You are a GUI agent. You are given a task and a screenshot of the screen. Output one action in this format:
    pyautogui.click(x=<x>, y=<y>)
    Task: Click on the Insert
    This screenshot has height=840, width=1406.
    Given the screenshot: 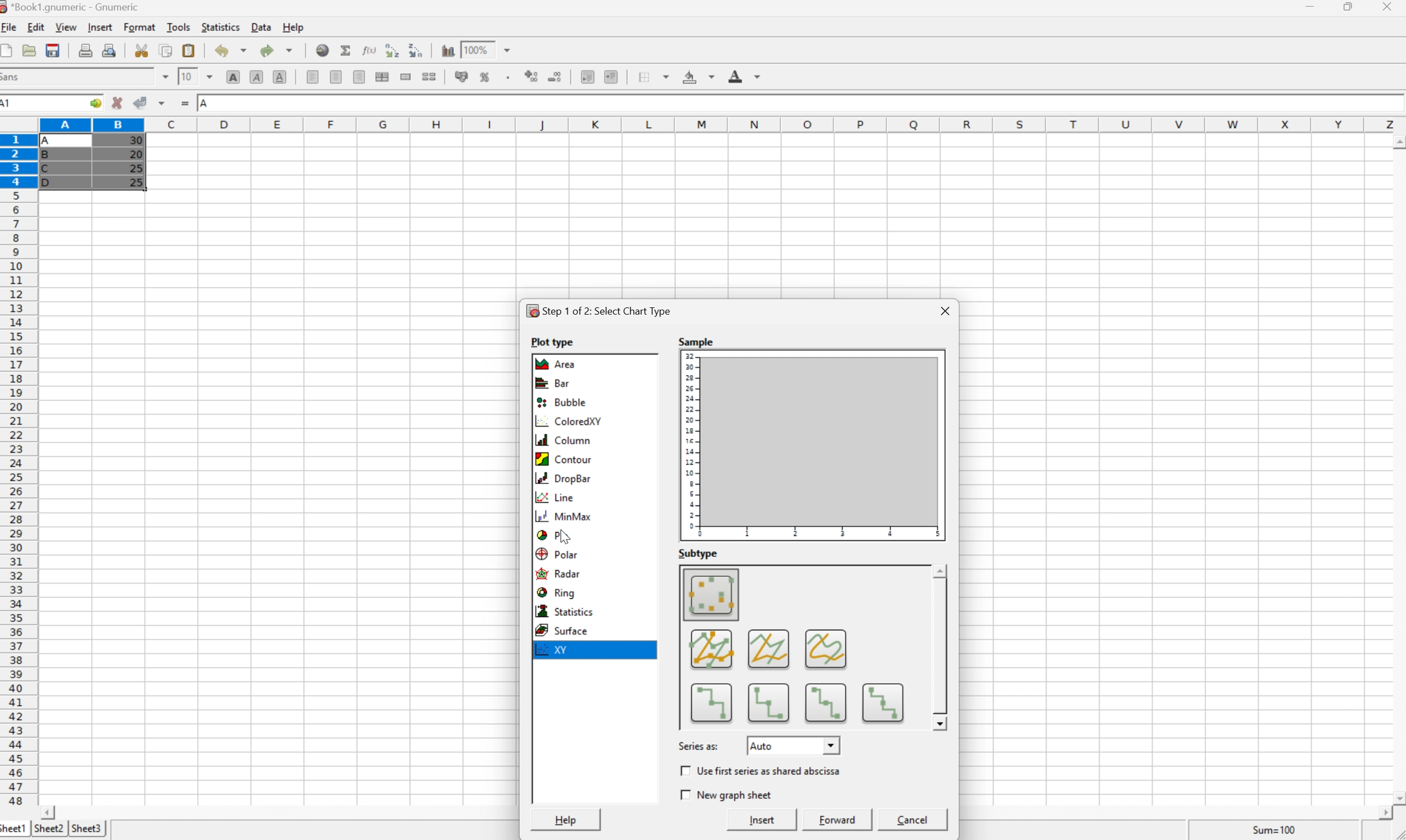 What is the action you would take?
    pyautogui.click(x=763, y=820)
    